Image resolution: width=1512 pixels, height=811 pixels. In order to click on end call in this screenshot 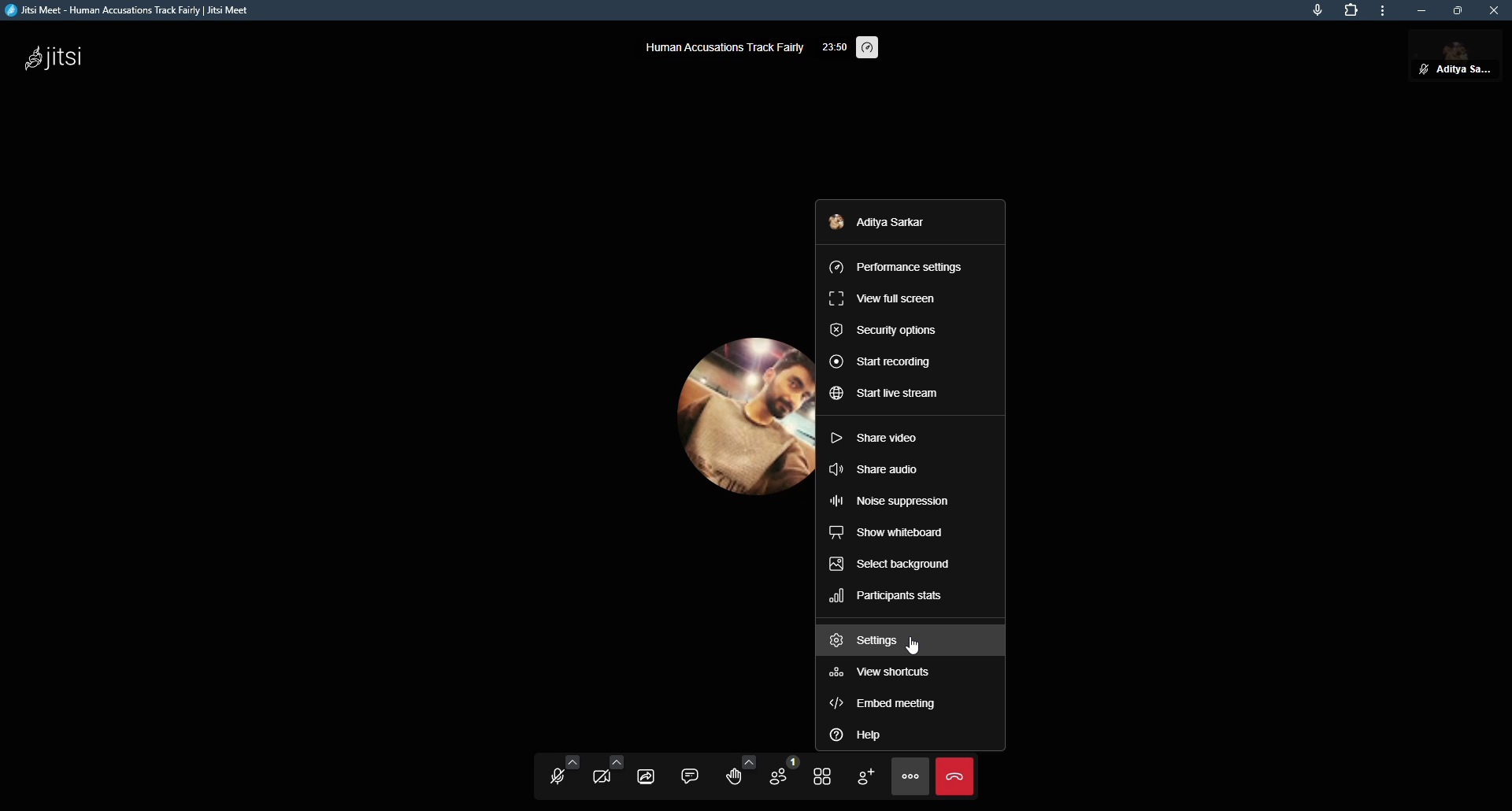, I will do `click(955, 778)`.